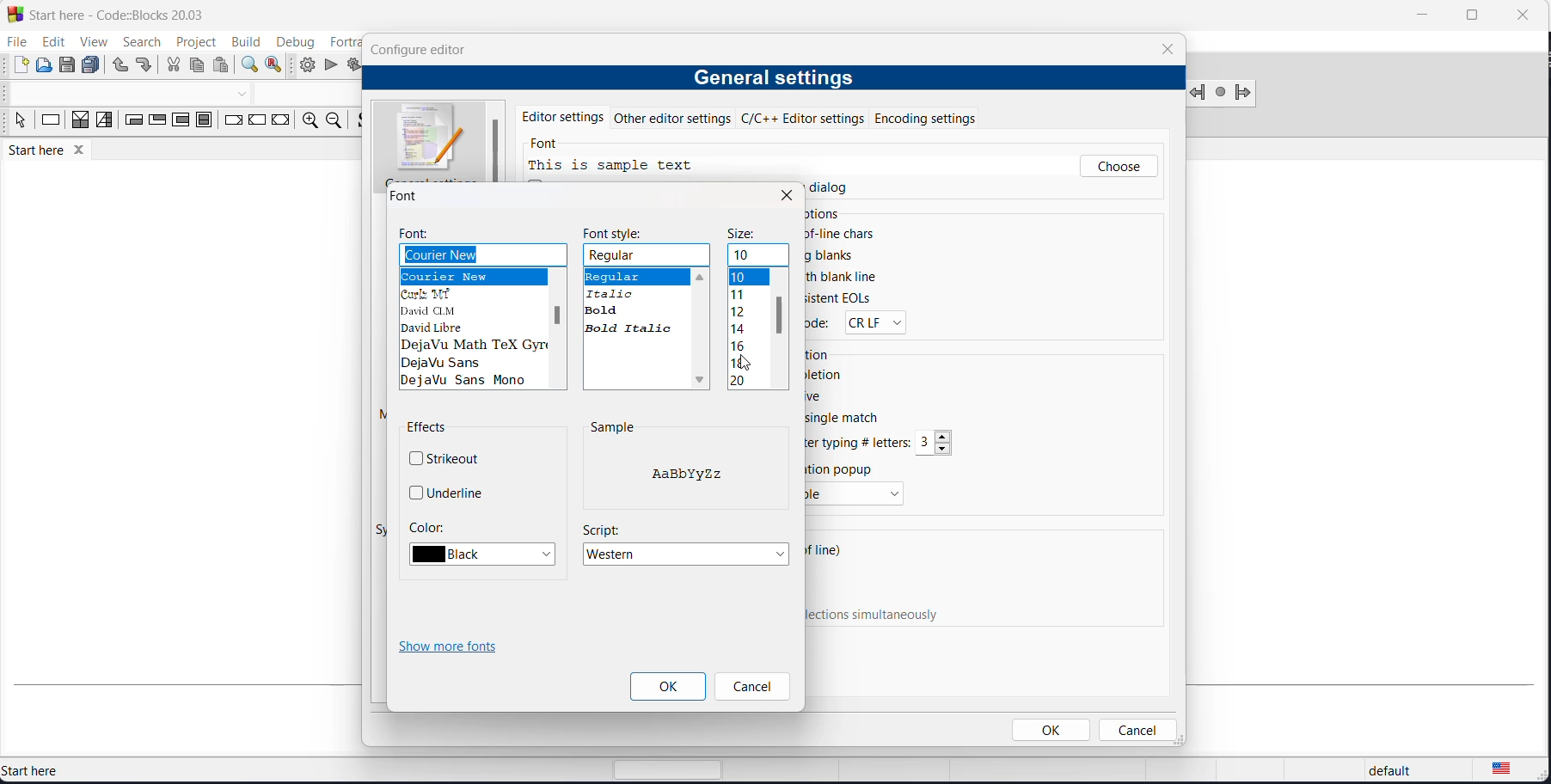  Describe the element at coordinates (563, 115) in the screenshot. I see `editor settings` at that location.